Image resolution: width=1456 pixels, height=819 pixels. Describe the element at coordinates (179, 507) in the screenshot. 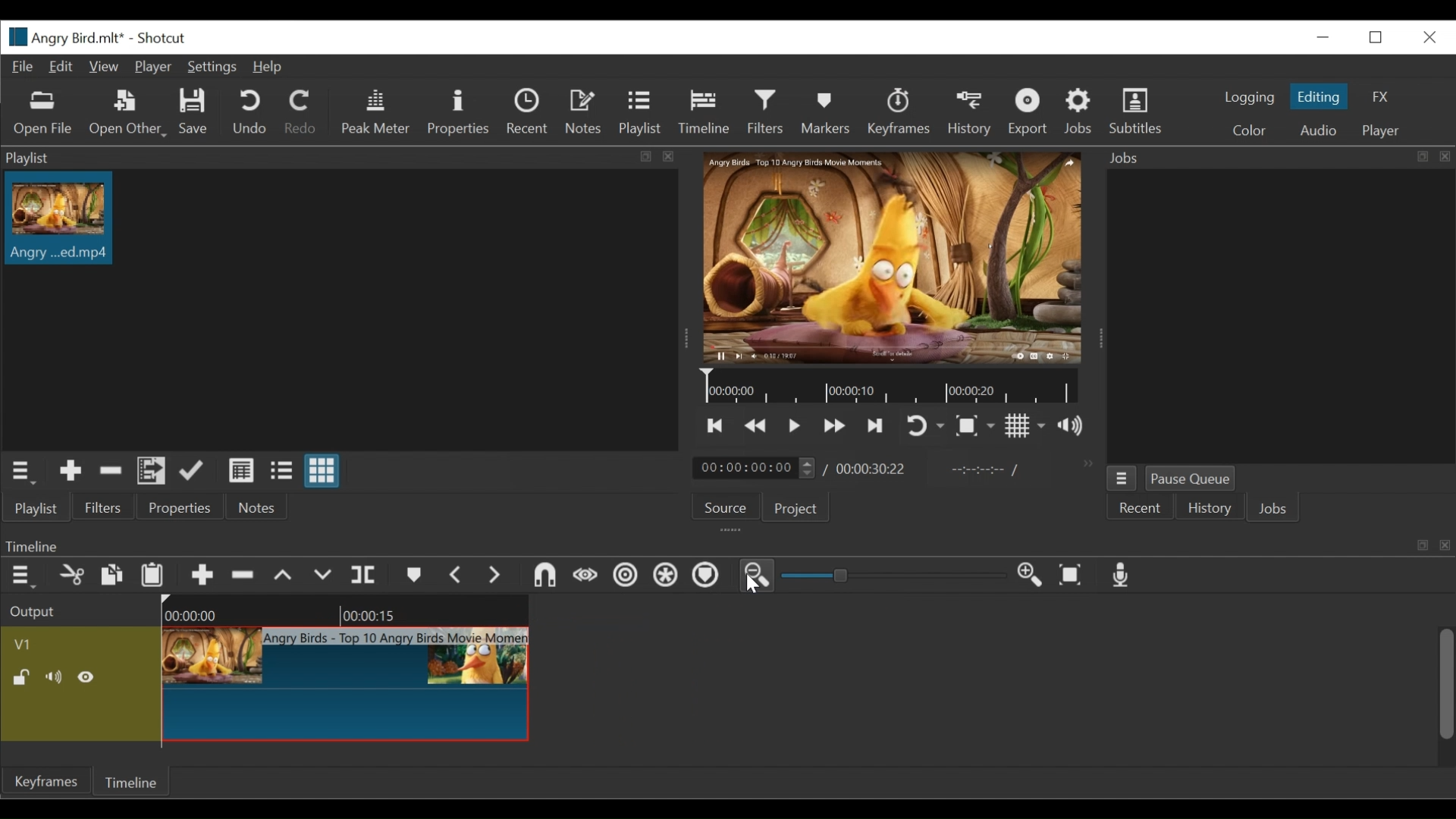

I see `Properties` at that location.